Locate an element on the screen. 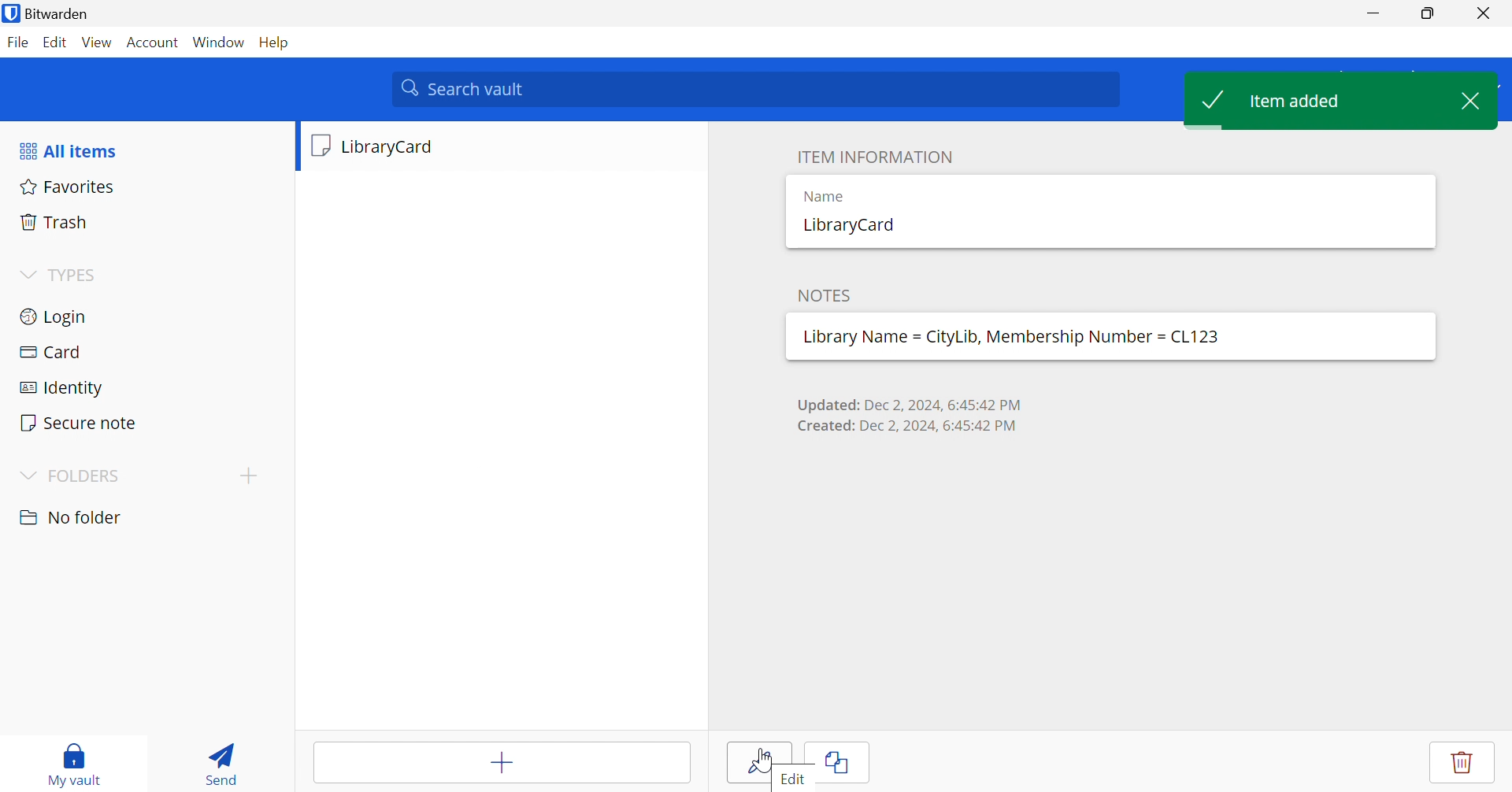  Edit is located at coordinates (57, 43).